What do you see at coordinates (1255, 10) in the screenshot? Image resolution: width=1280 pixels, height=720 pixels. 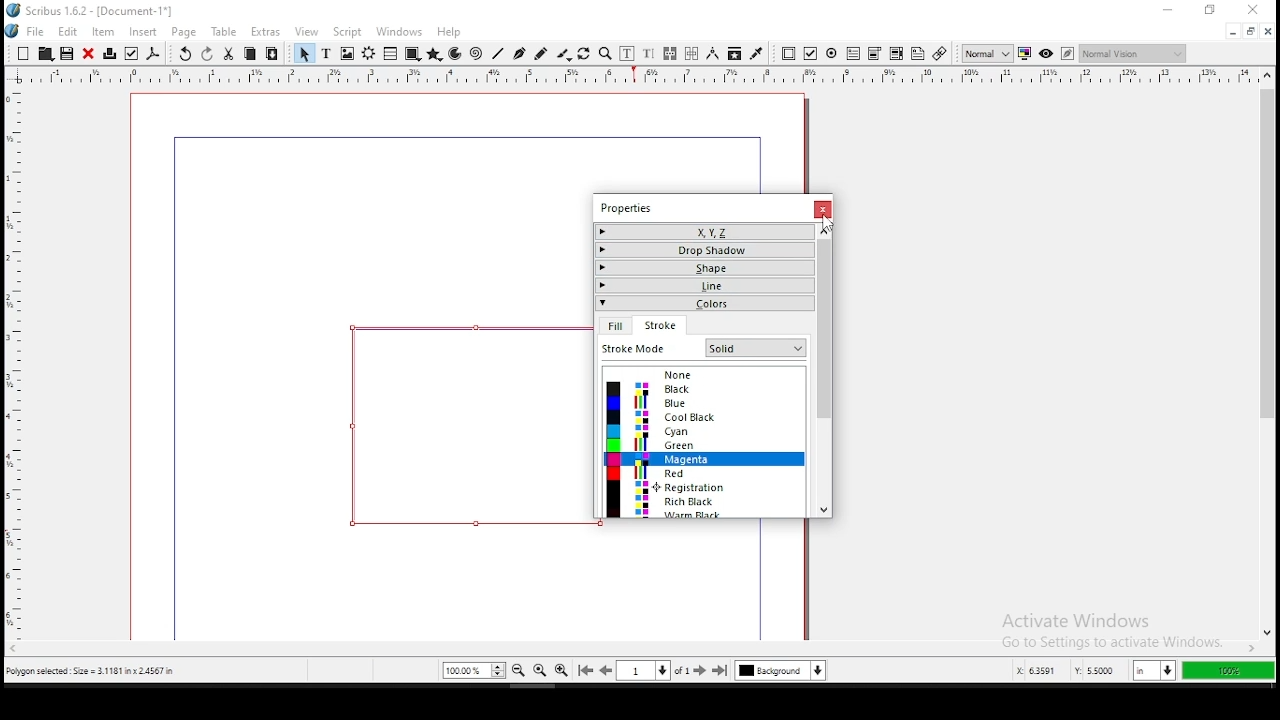 I see `close` at bounding box center [1255, 10].